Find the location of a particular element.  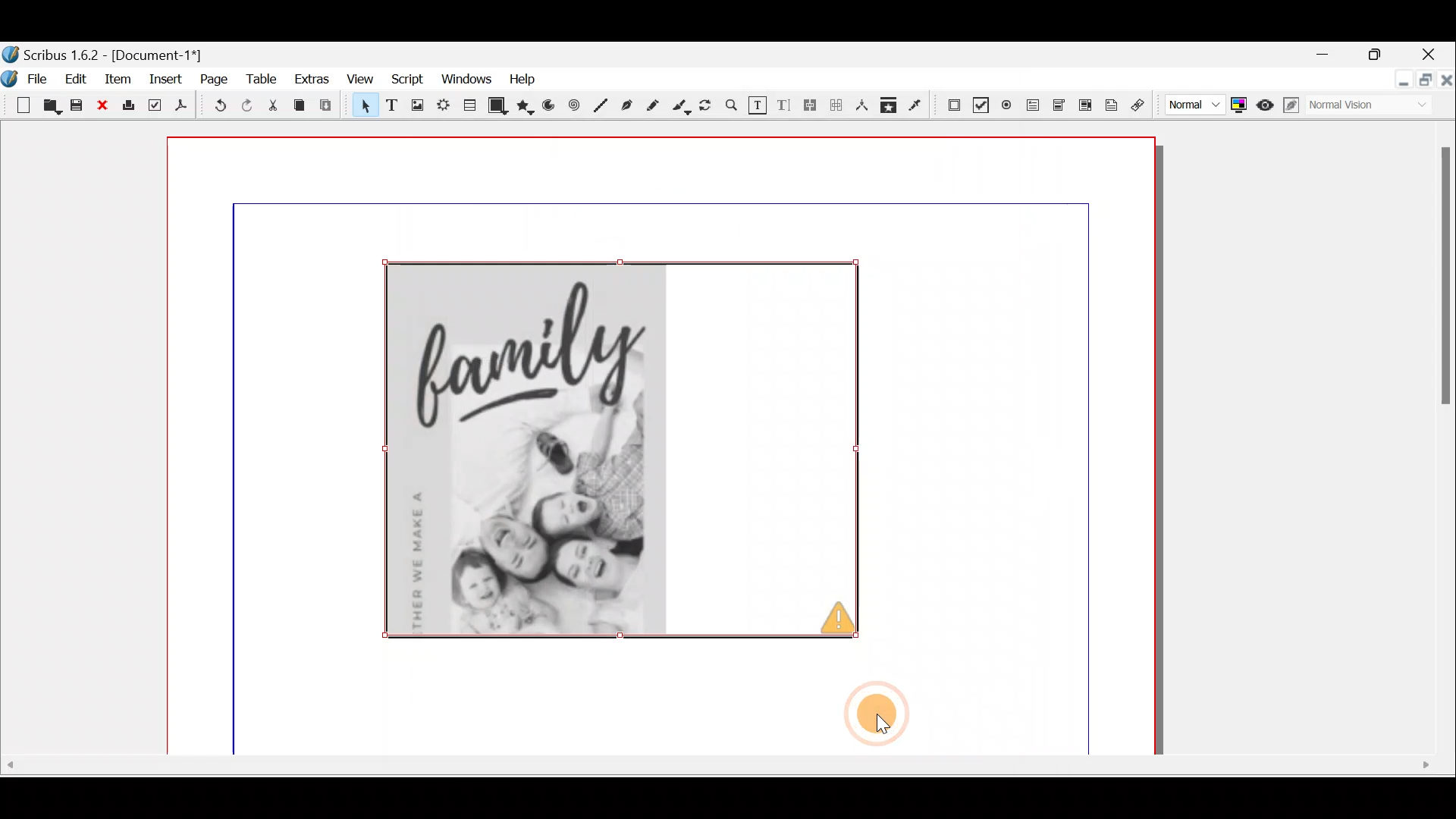

maximise is located at coordinates (1423, 83).